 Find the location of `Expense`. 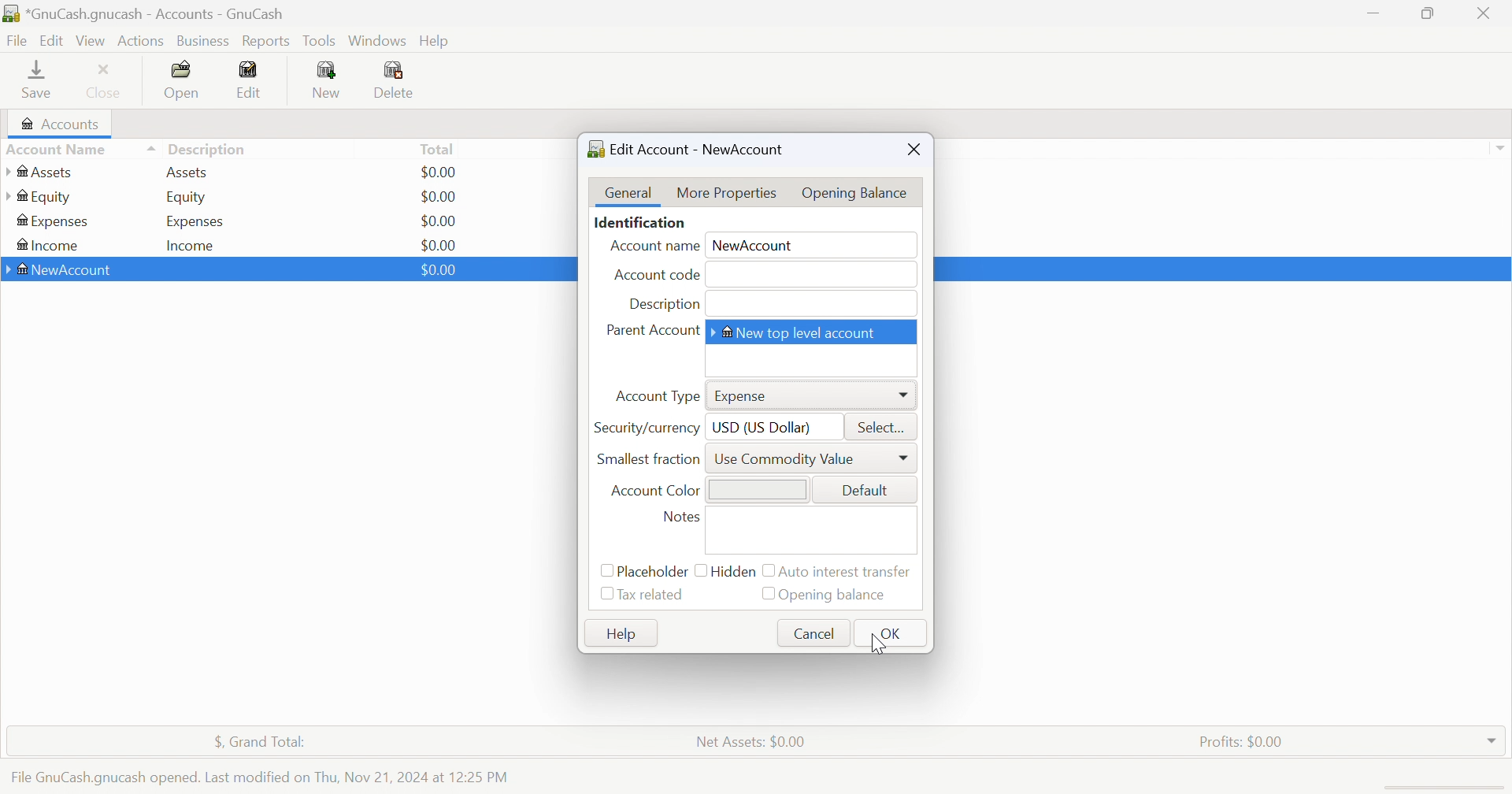

Expense is located at coordinates (745, 396).